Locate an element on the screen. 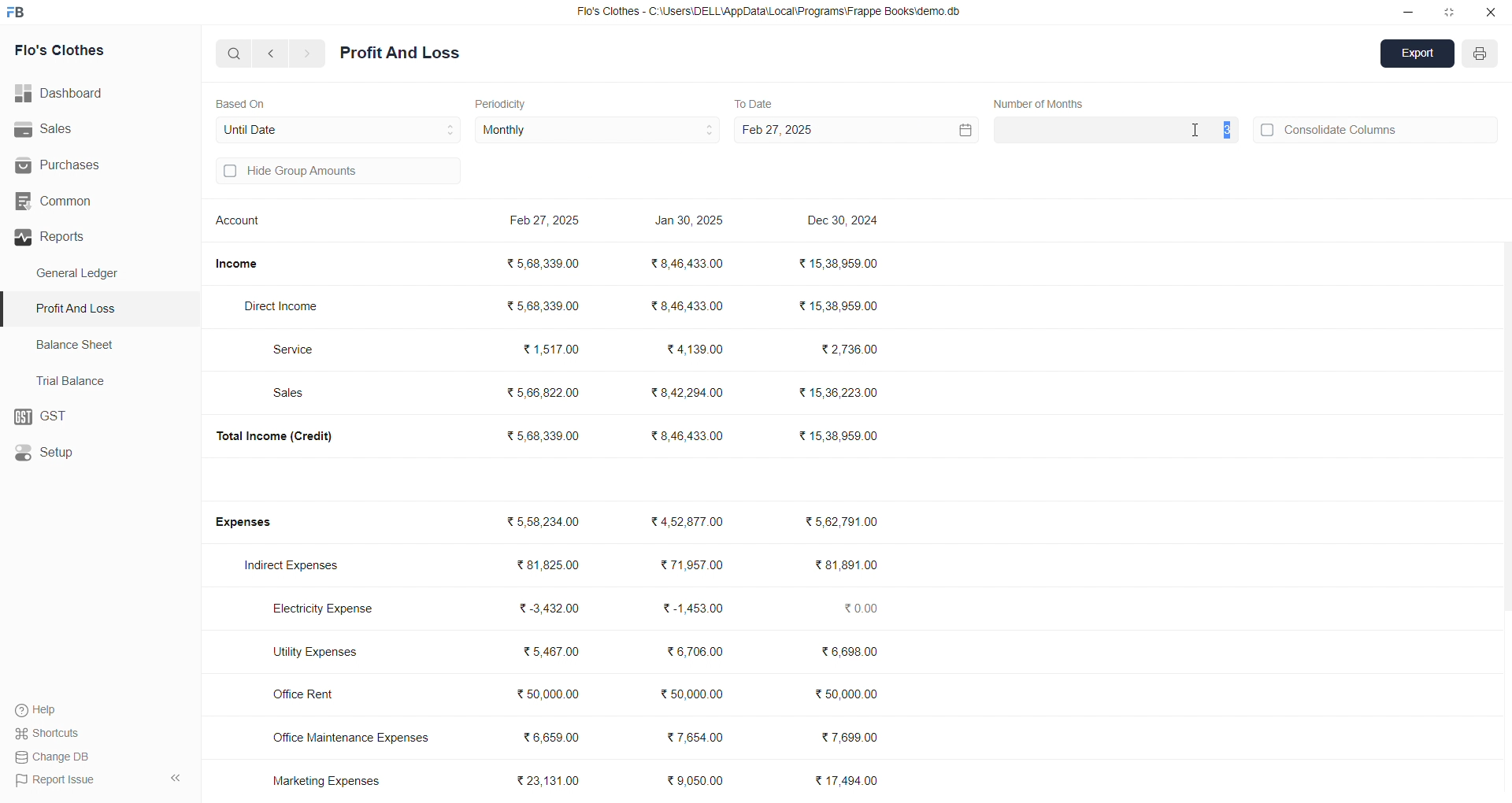 This screenshot has height=803, width=1512. ₹0.00 is located at coordinates (865, 608).